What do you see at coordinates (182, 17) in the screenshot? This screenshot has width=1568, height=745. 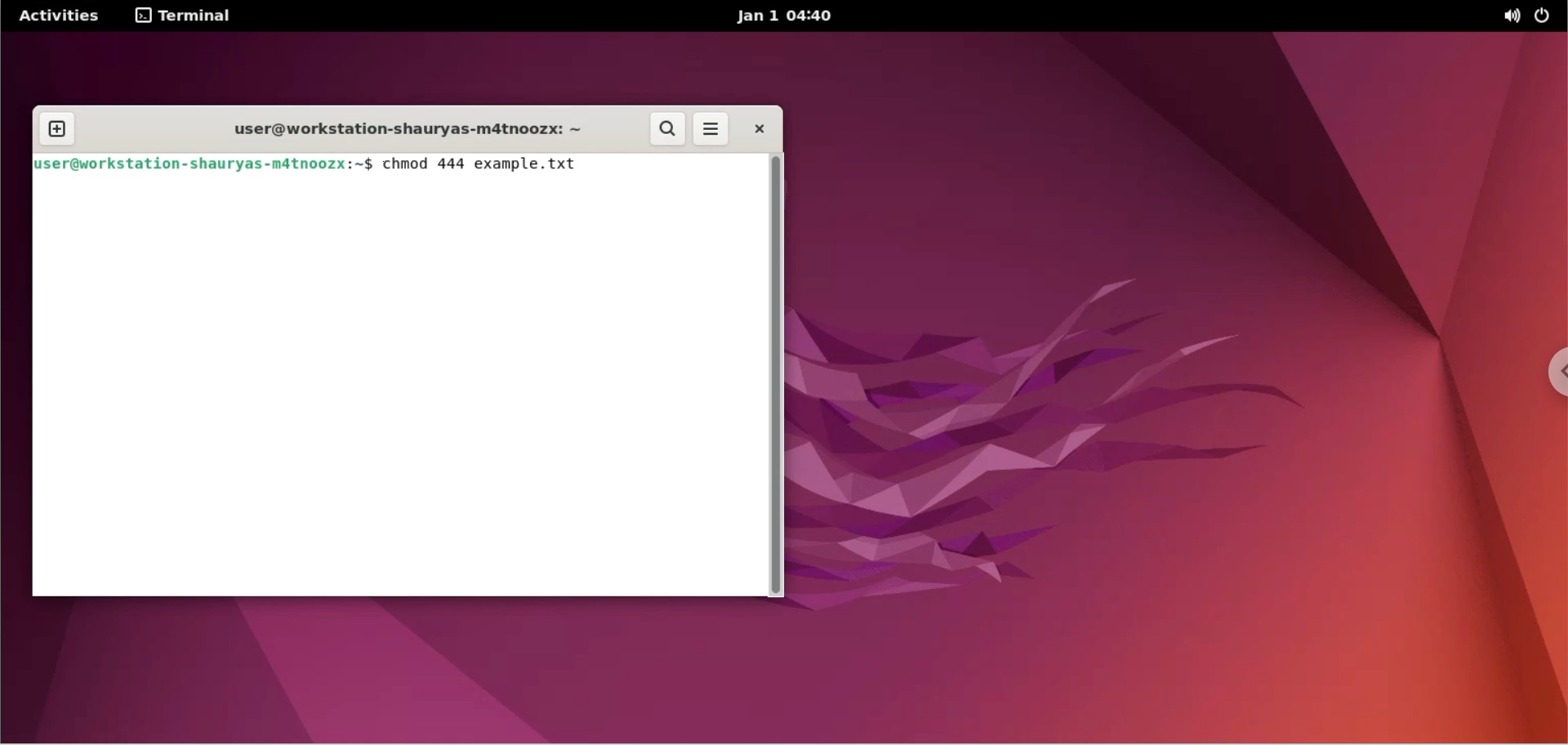 I see `terminal` at bounding box center [182, 17].